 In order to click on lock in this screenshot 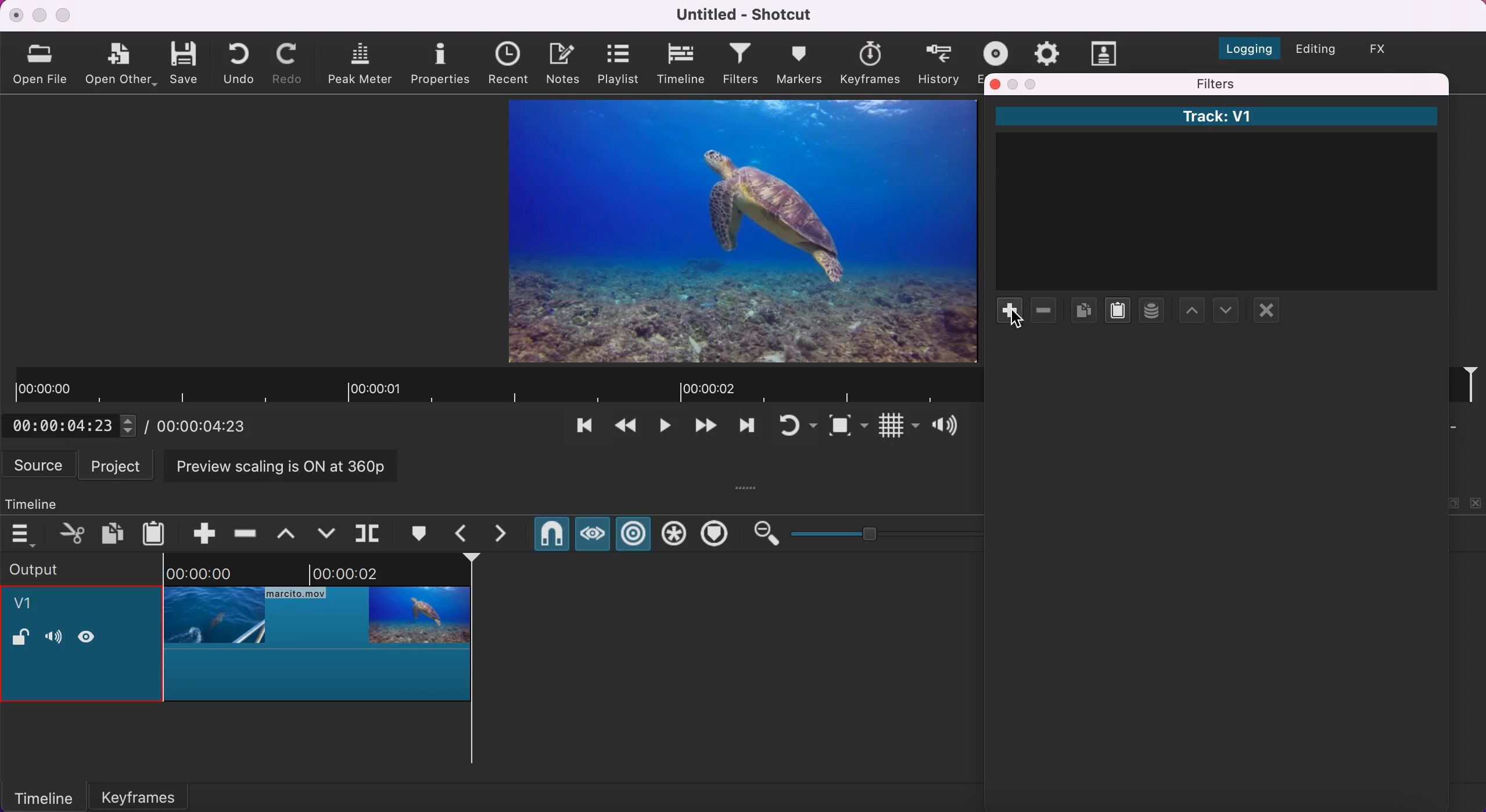, I will do `click(20, 639)`.